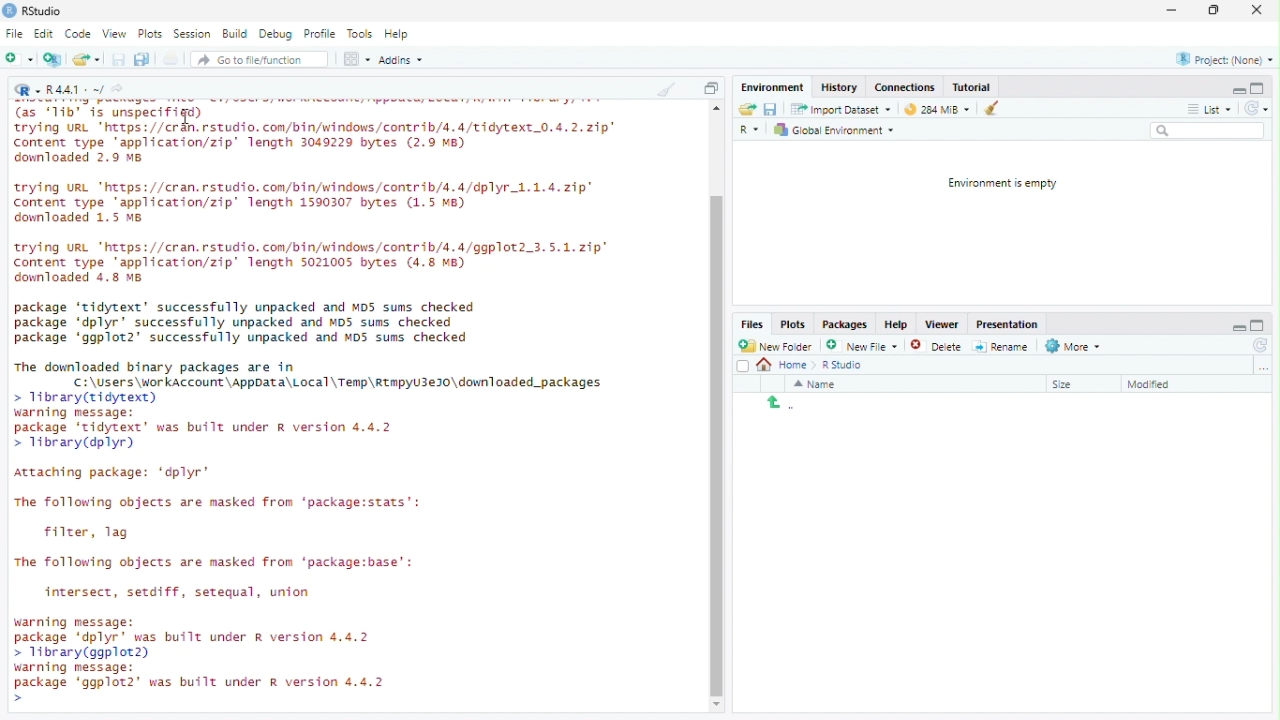  What do you see at coordinates (1259, 325) in the screenshot?
I see `Maximize` at bounding box center [1259, 325].